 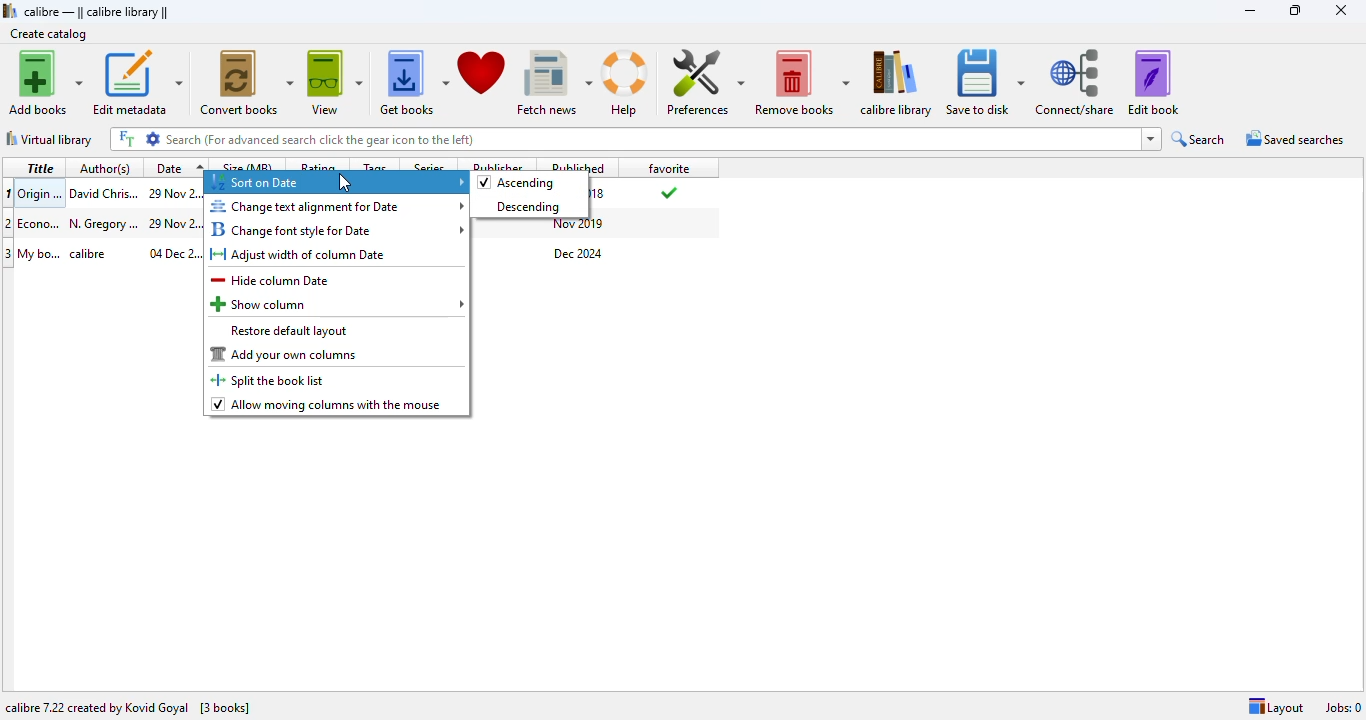 What do you see at coordinates (801, 83) in the screenshot?
I see `remove books` at bounding box center [801, 83].